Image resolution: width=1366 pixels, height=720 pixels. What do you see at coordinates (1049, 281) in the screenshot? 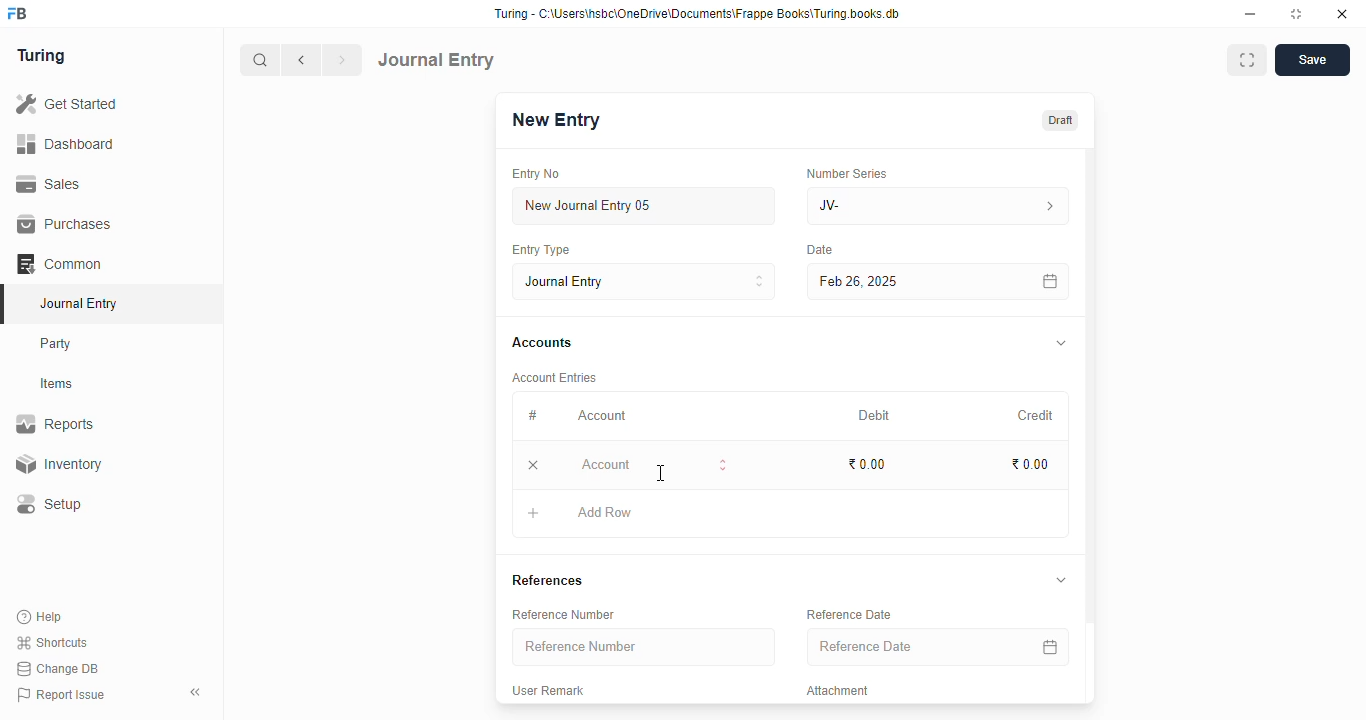
I see `calendar icon` at bounding box center [1049, 281].